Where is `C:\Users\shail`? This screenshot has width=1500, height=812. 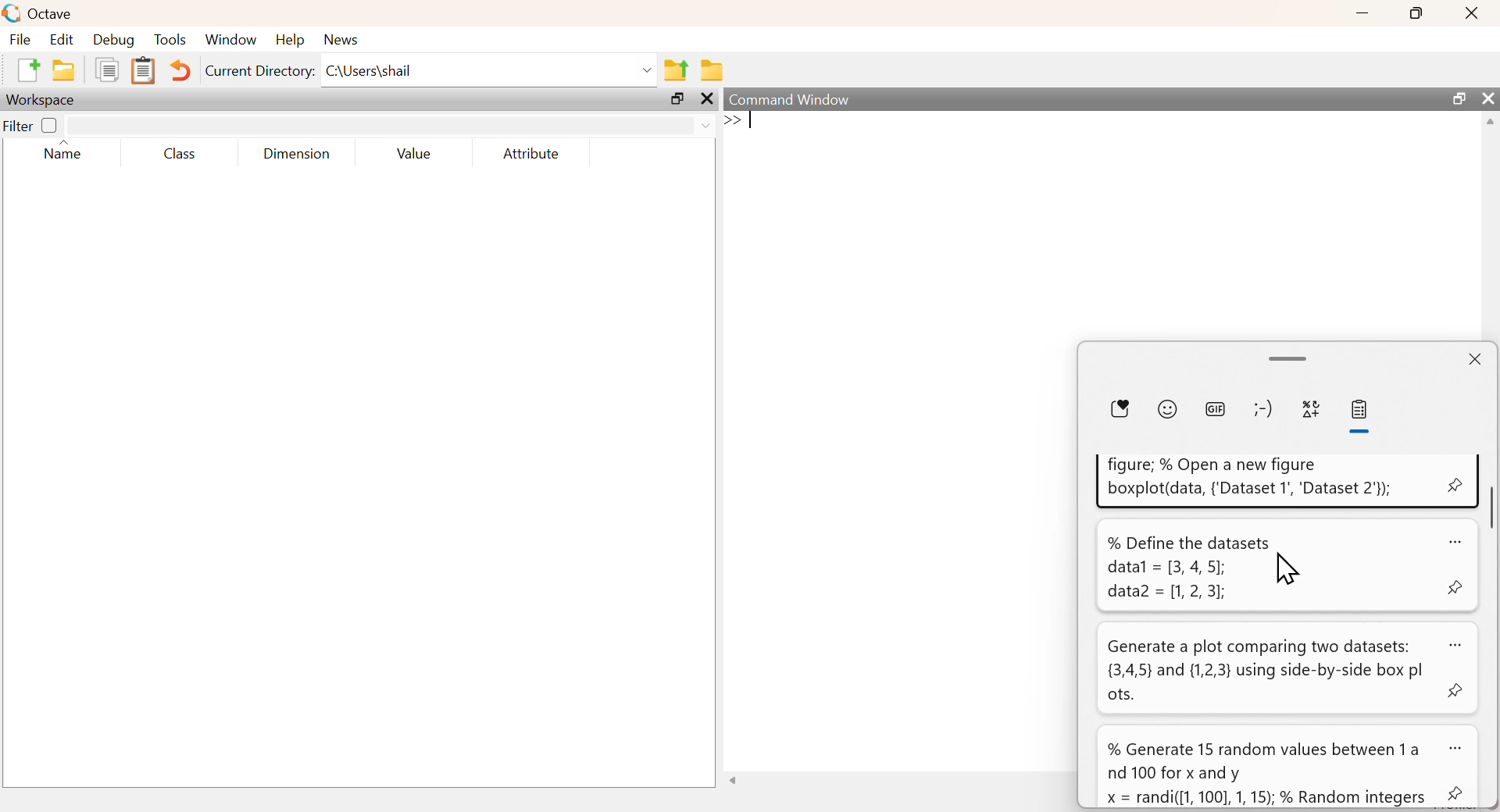 C:\Users\shail is located at coordinates (370, 69).